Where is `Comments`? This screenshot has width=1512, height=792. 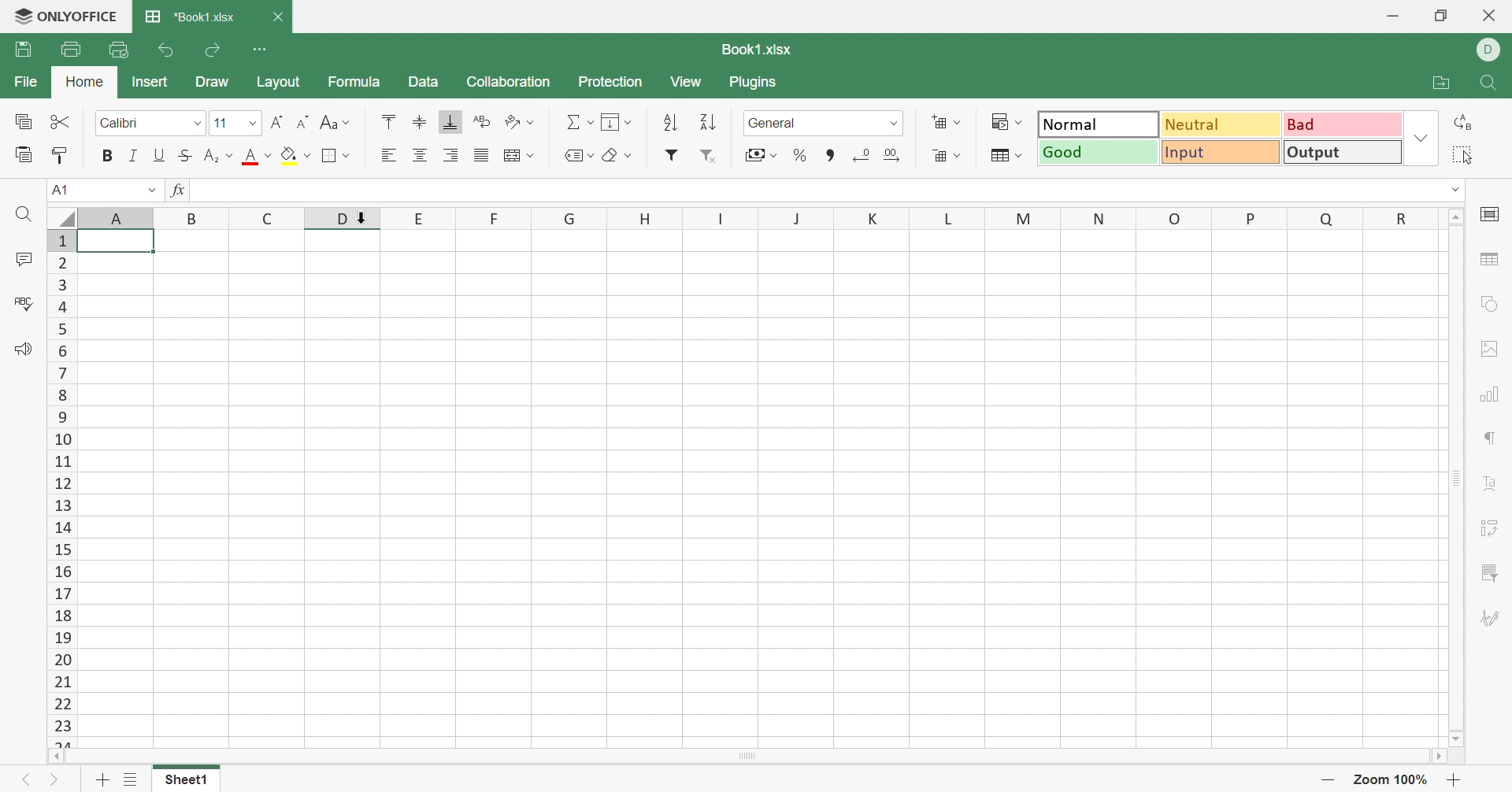
Comments is located at coordinates (24, 258).